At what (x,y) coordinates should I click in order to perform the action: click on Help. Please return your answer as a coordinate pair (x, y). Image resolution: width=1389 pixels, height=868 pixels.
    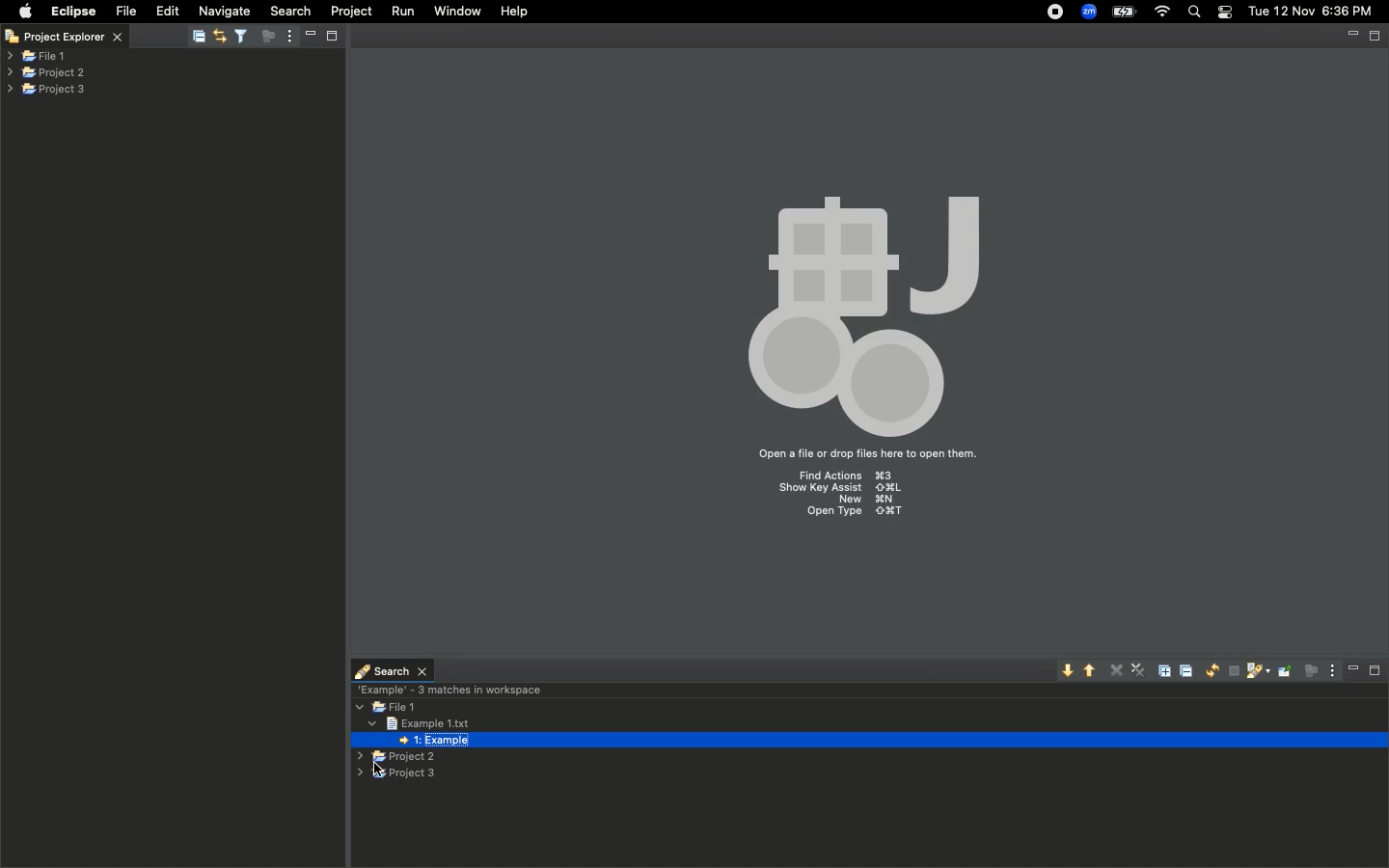
    Looking at the image, I should click on (516, 12).